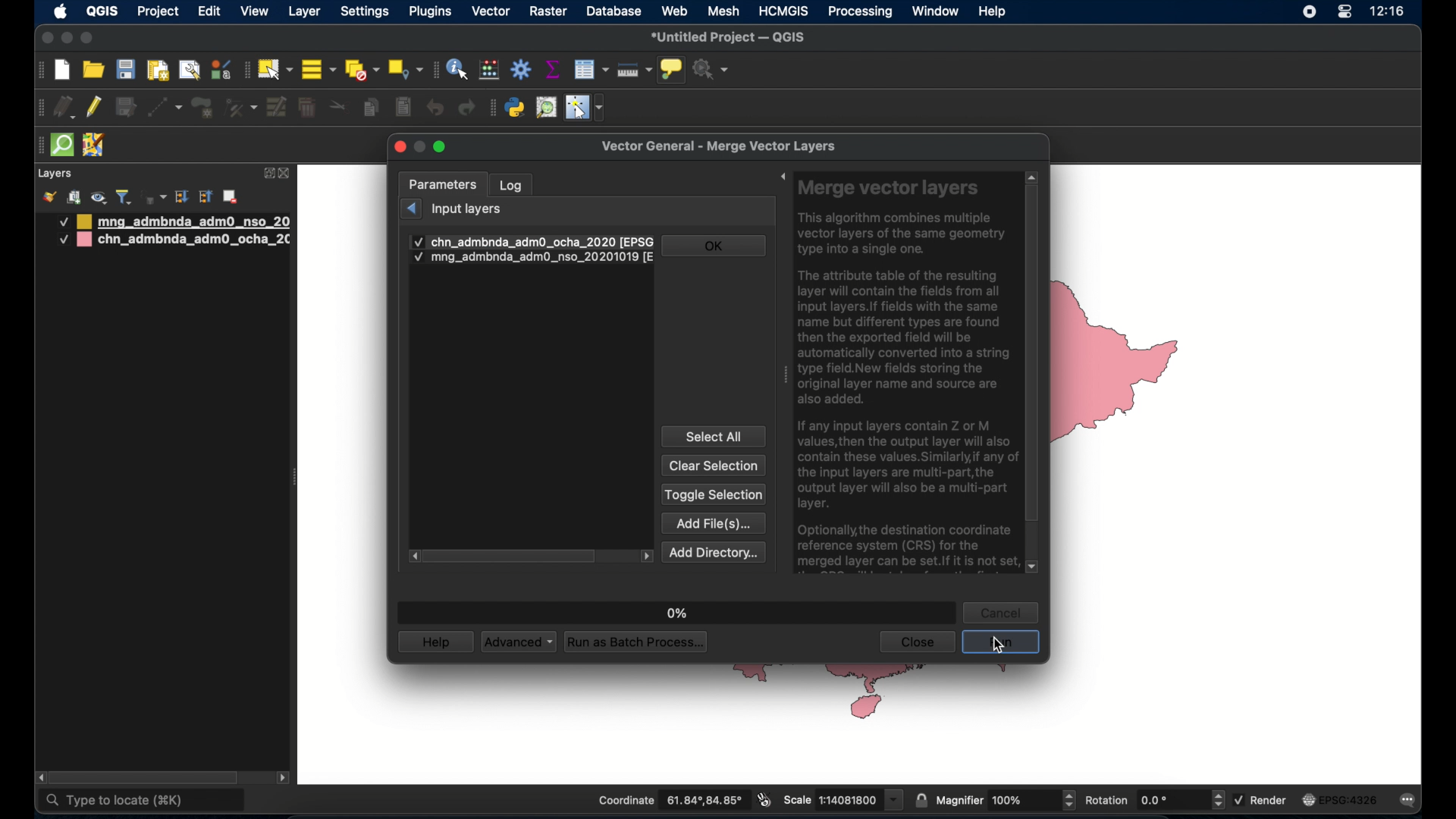 This screenshot has height=819, width=1456. What do you see at coordinates (95, 71) in the screenshot?
I see `open project` at bounding box center [95, 71].